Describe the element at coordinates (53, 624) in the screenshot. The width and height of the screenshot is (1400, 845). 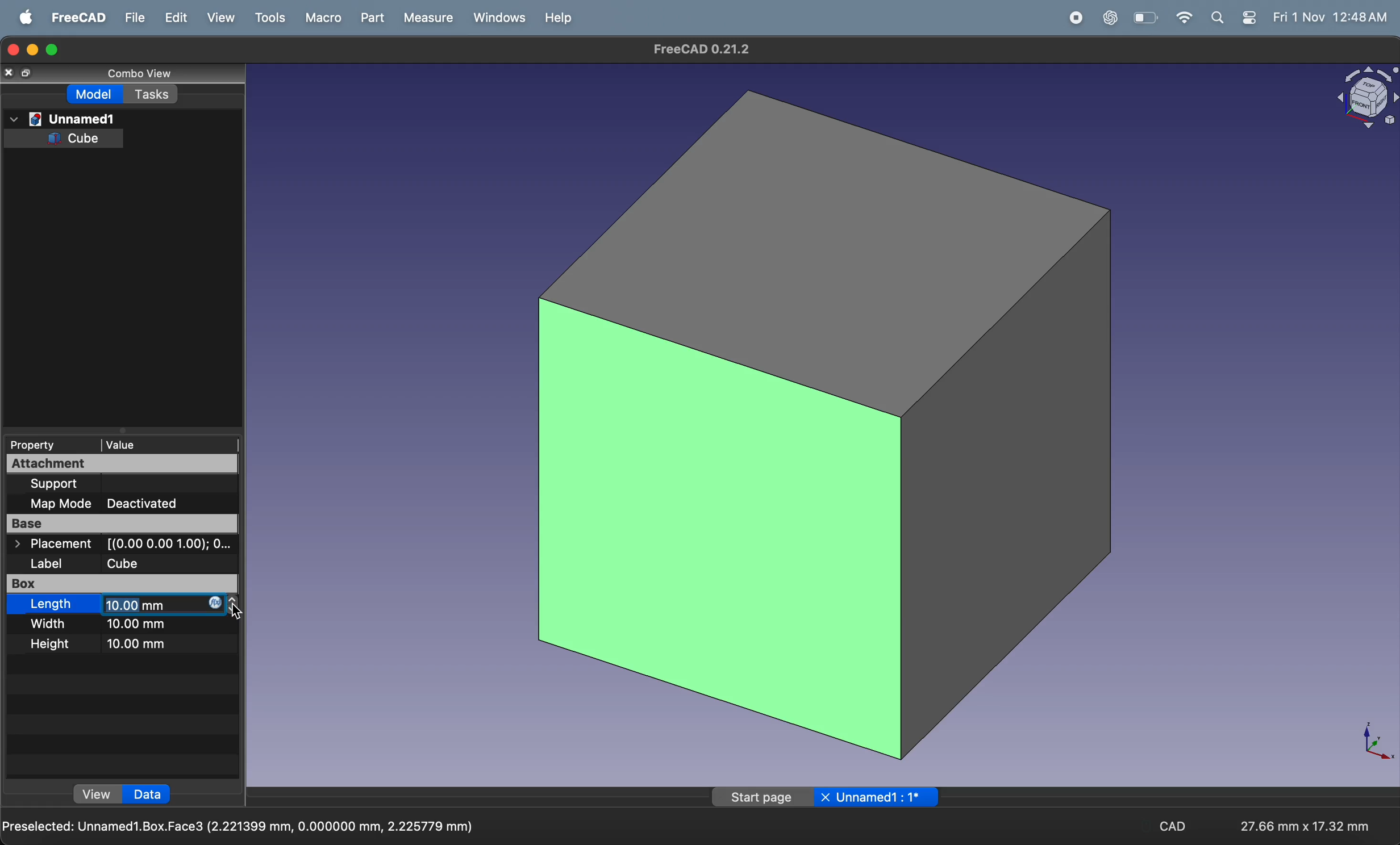
I see `width` at that location.